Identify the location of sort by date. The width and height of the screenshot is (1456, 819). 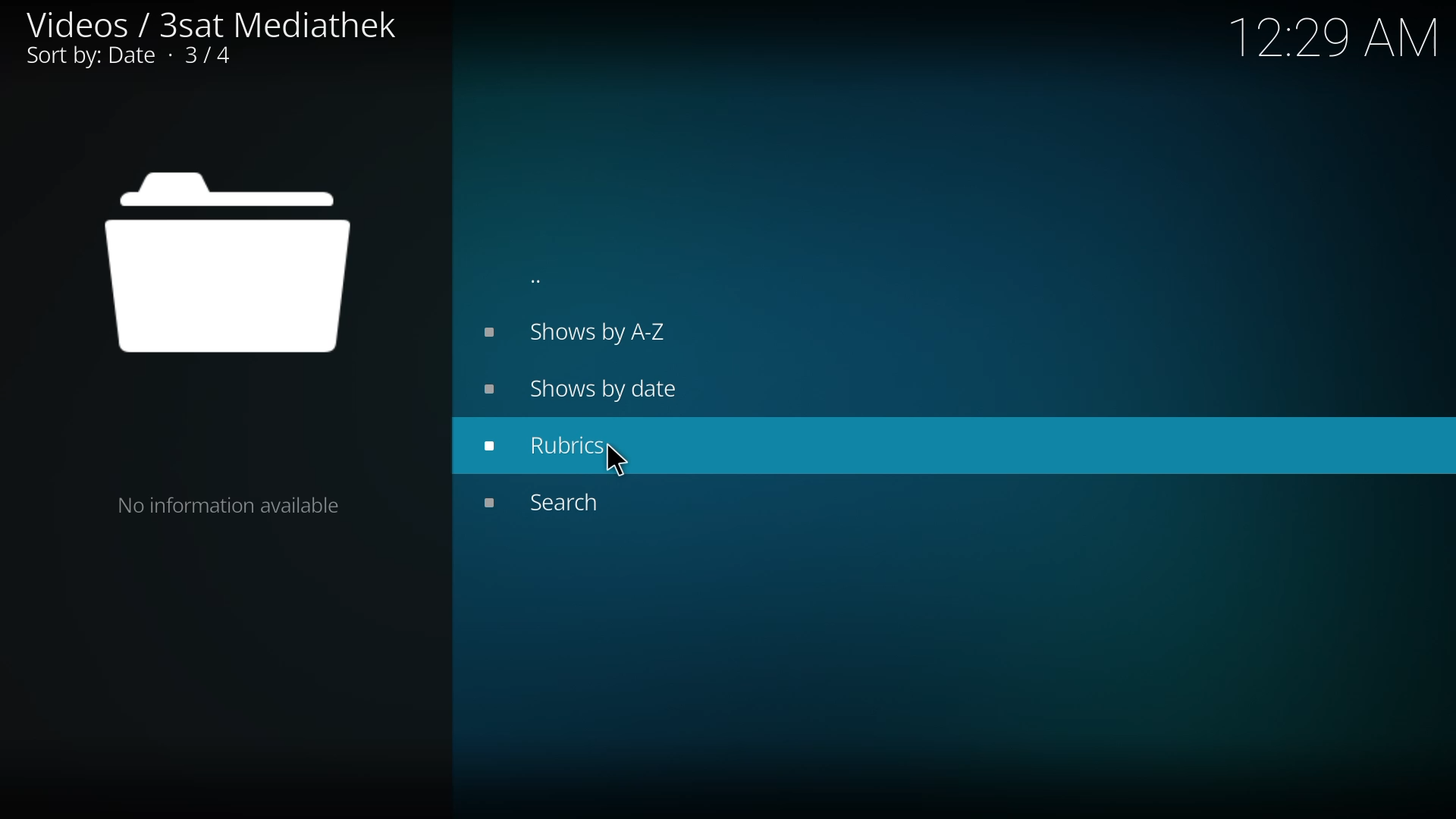
(135, 58).